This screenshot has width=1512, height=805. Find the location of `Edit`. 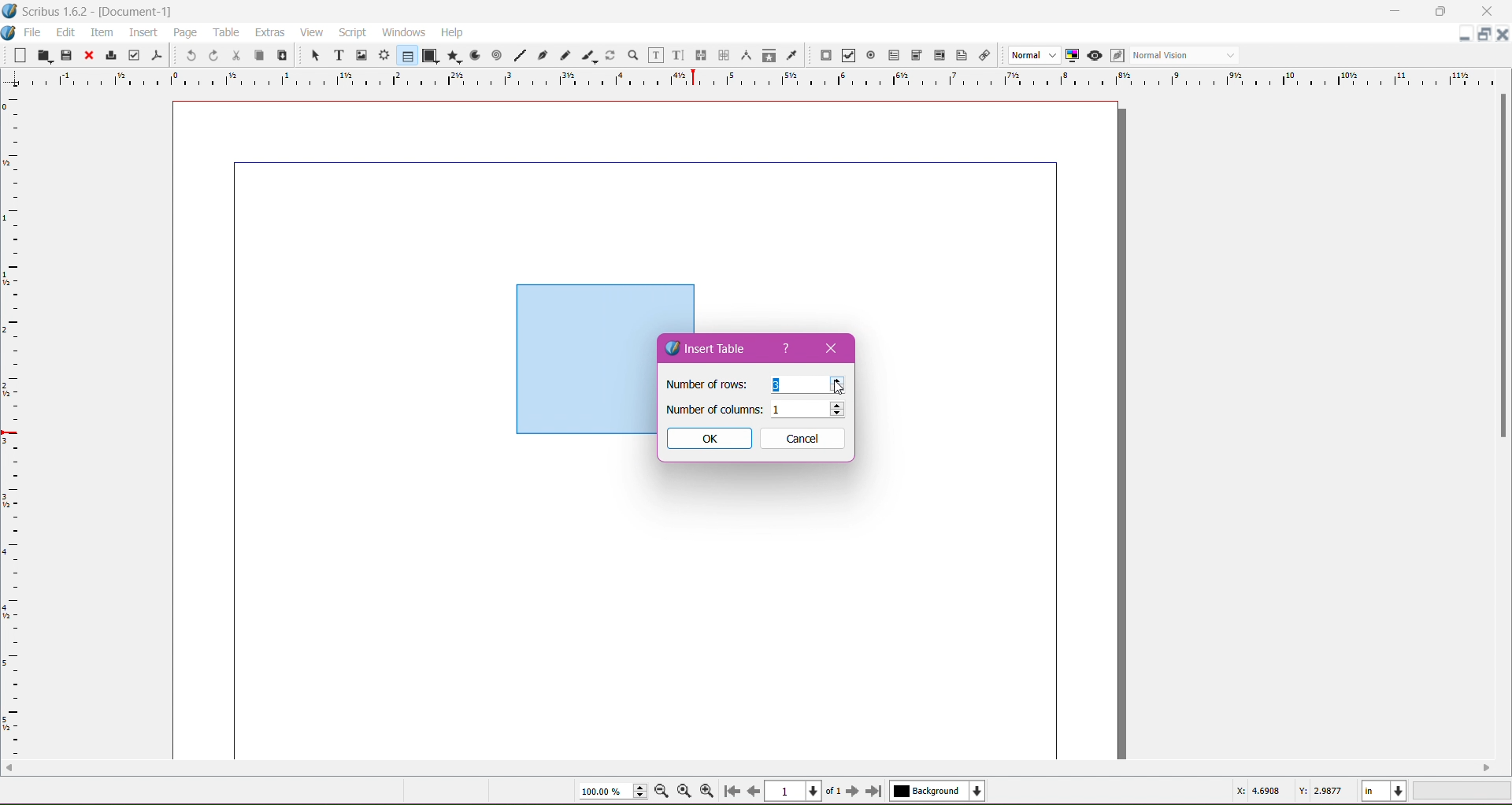

Edit is located at coordinates (67, 32).